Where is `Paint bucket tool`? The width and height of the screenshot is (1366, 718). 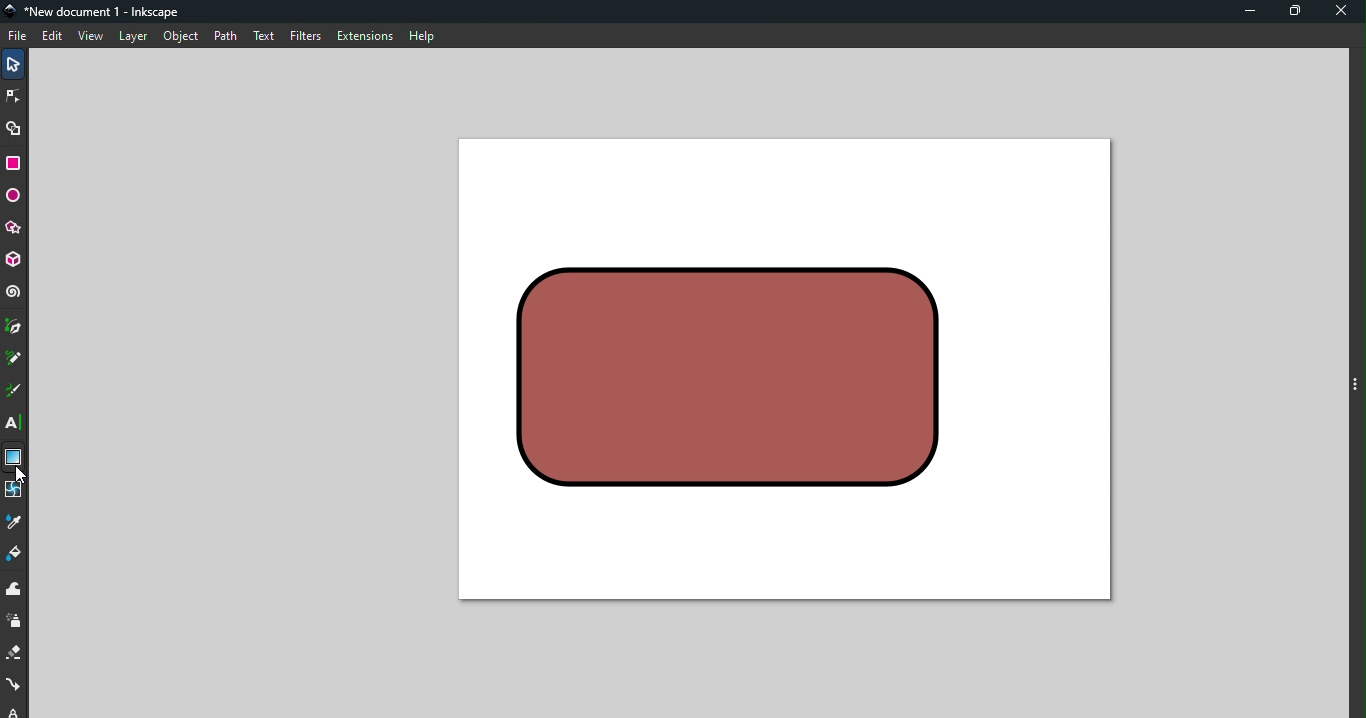
Paint bucket tool is located at coordinates (18, 557).